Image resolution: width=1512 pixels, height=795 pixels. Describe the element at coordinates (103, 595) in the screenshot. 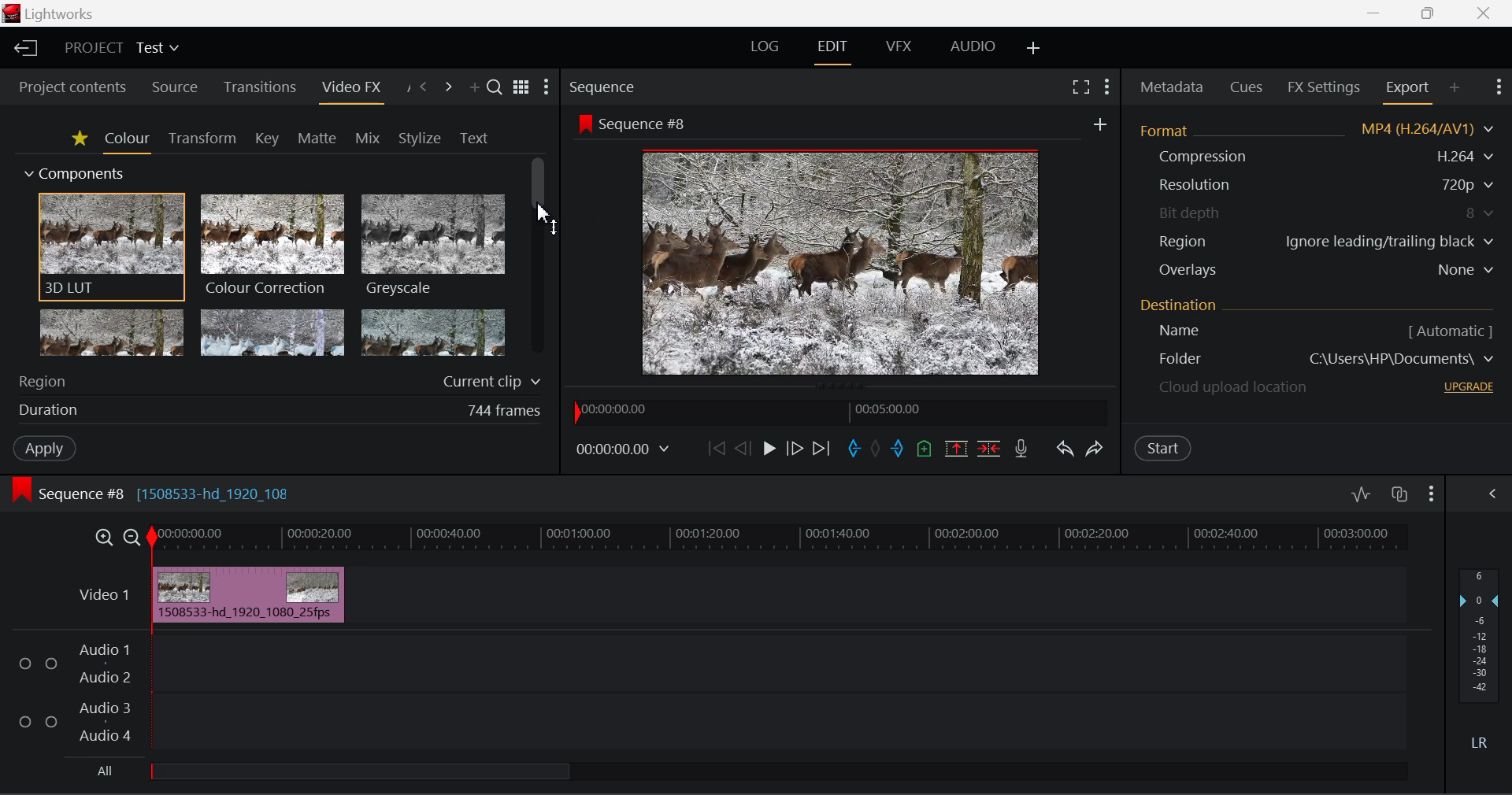

I see `Video 1` at that location.